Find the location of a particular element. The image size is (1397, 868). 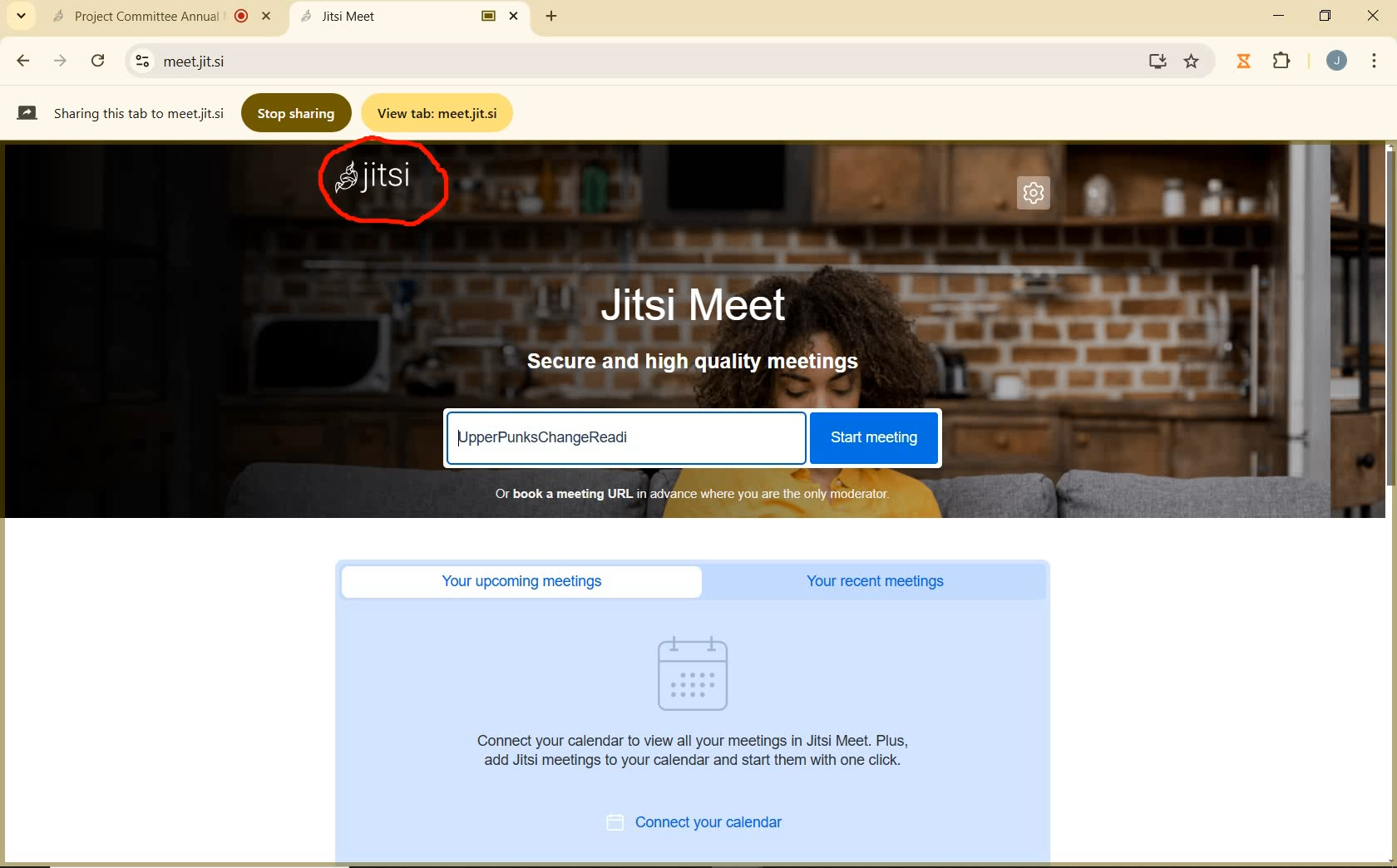

Collapse is located at coordinates (21, 17).